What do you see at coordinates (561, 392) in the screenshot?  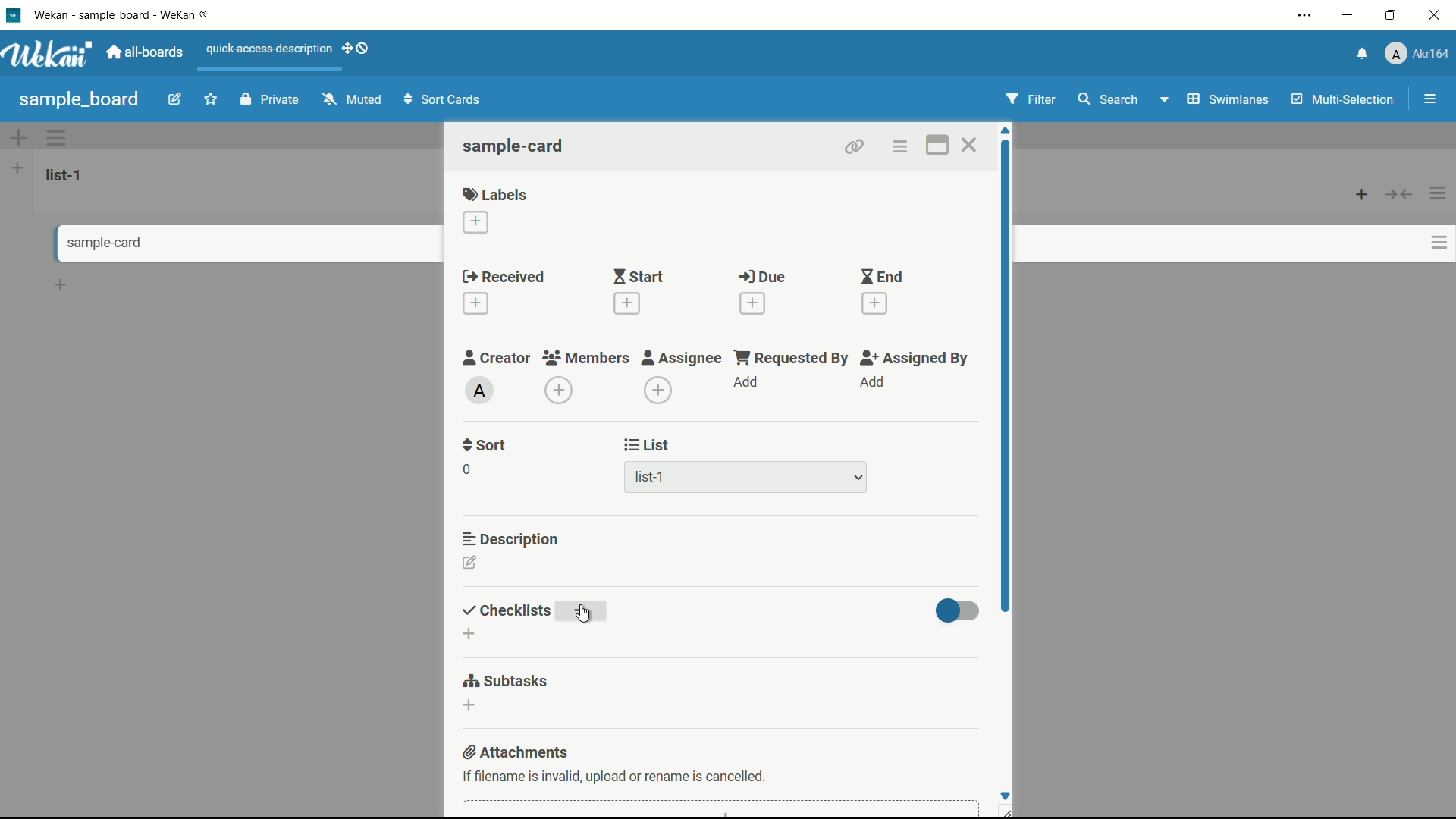 I see `add members` at bounding box center [561, 392].